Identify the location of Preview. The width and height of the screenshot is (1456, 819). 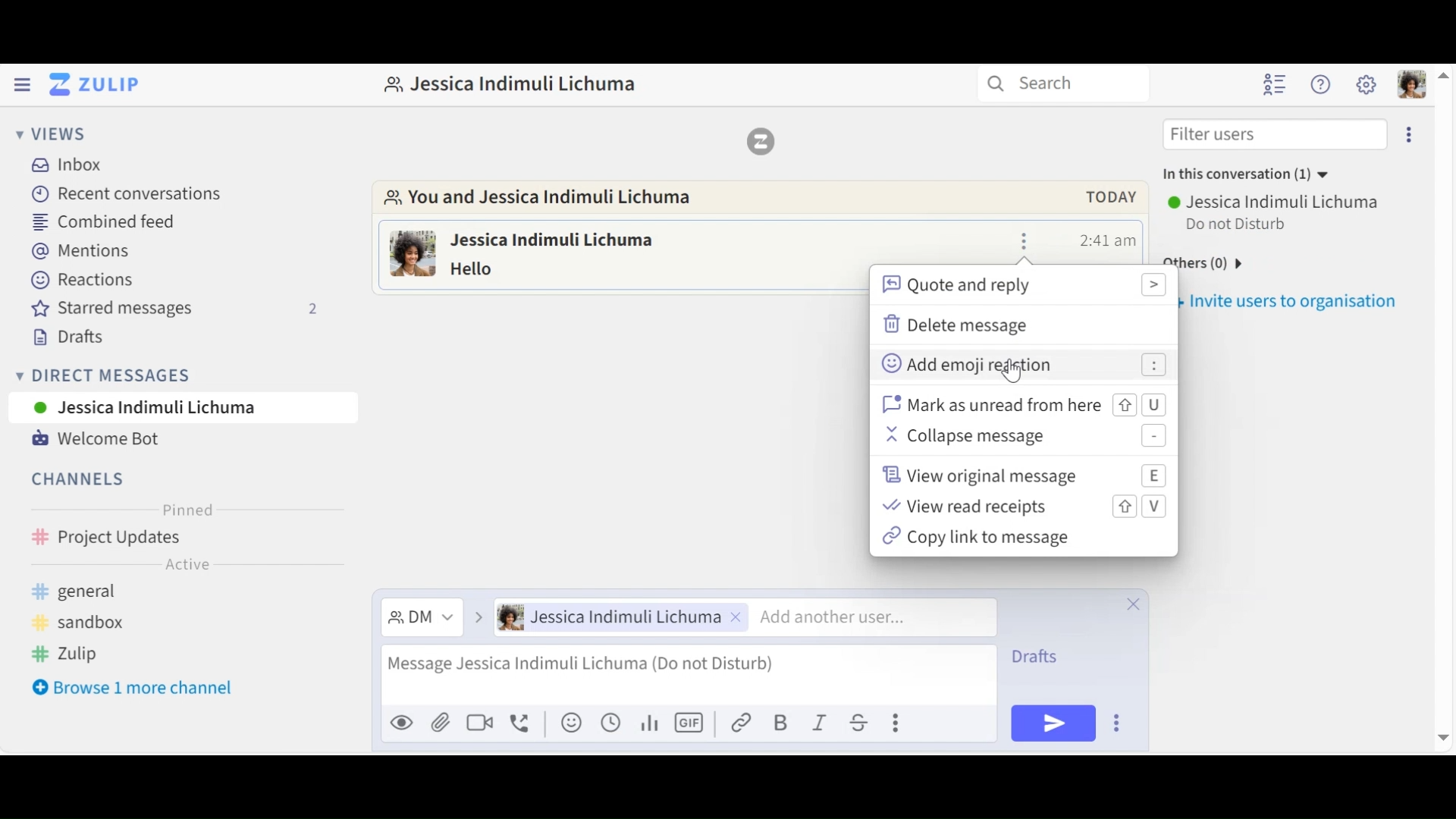
(403, 725).